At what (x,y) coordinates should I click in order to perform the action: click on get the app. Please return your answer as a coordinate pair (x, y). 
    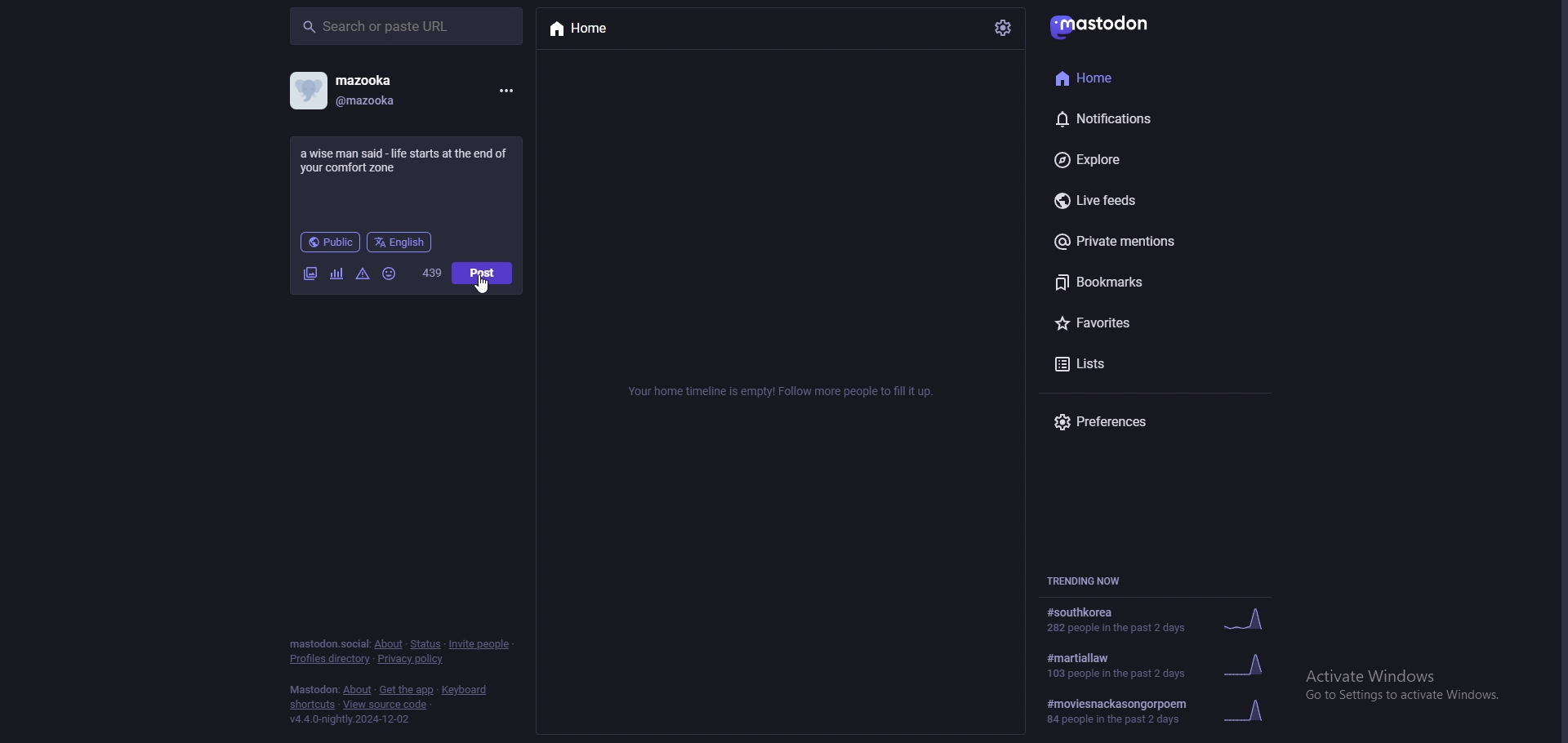
    Looking at the image, I should click on (407, 690).